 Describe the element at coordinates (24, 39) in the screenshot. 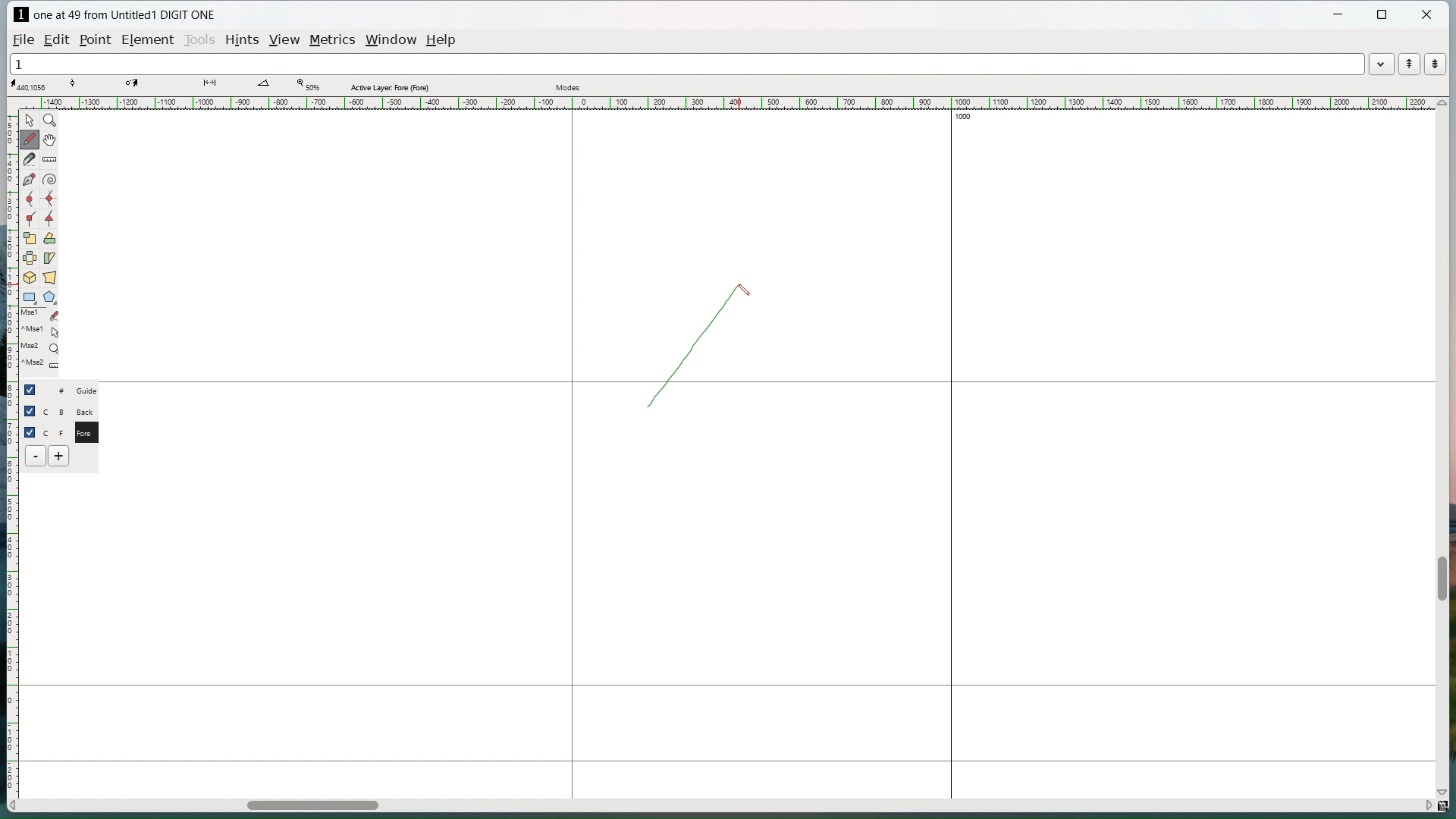

I see `file` at that location.